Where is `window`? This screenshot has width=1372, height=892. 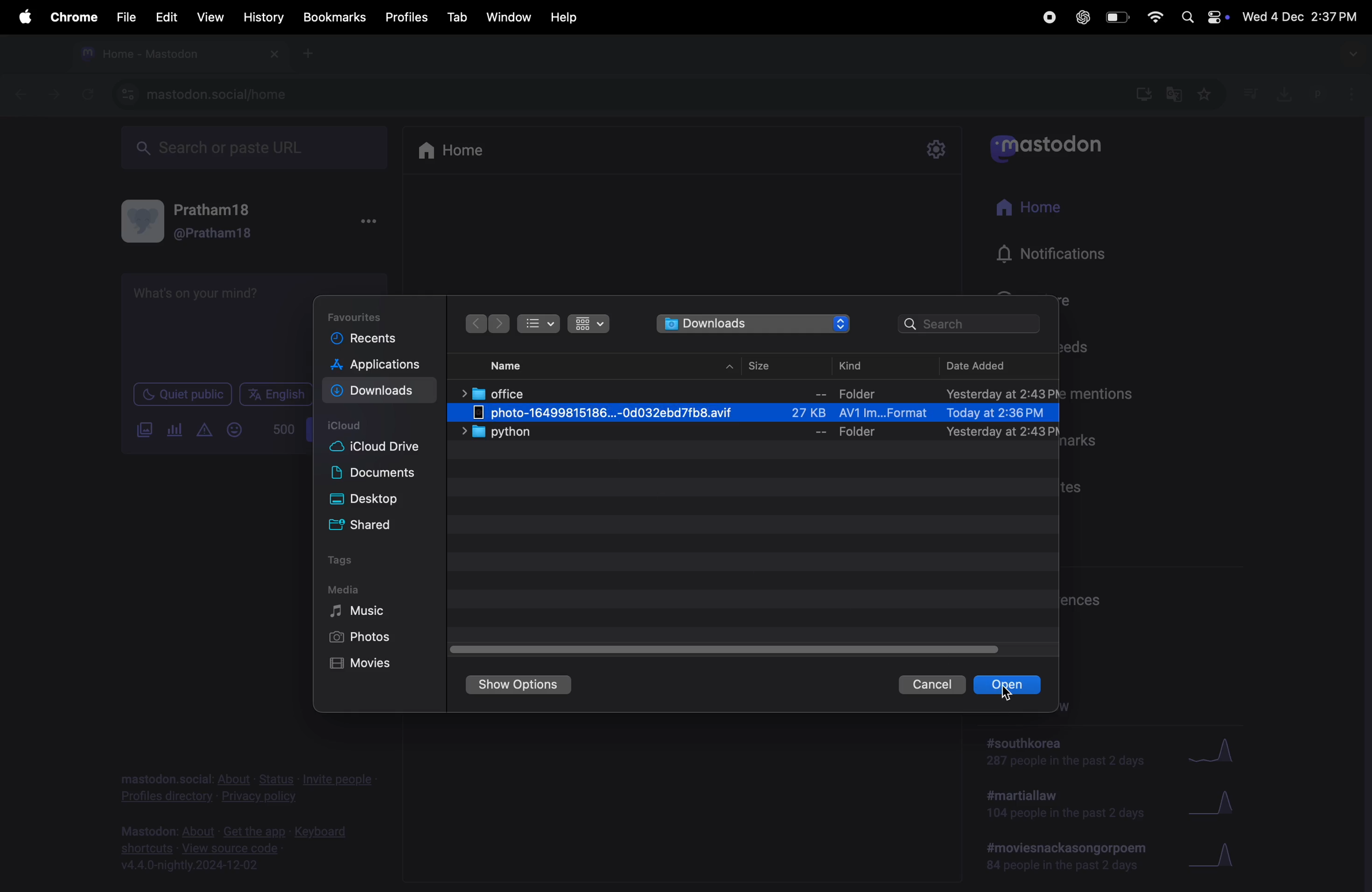 window is located at coordinates (510, 16).